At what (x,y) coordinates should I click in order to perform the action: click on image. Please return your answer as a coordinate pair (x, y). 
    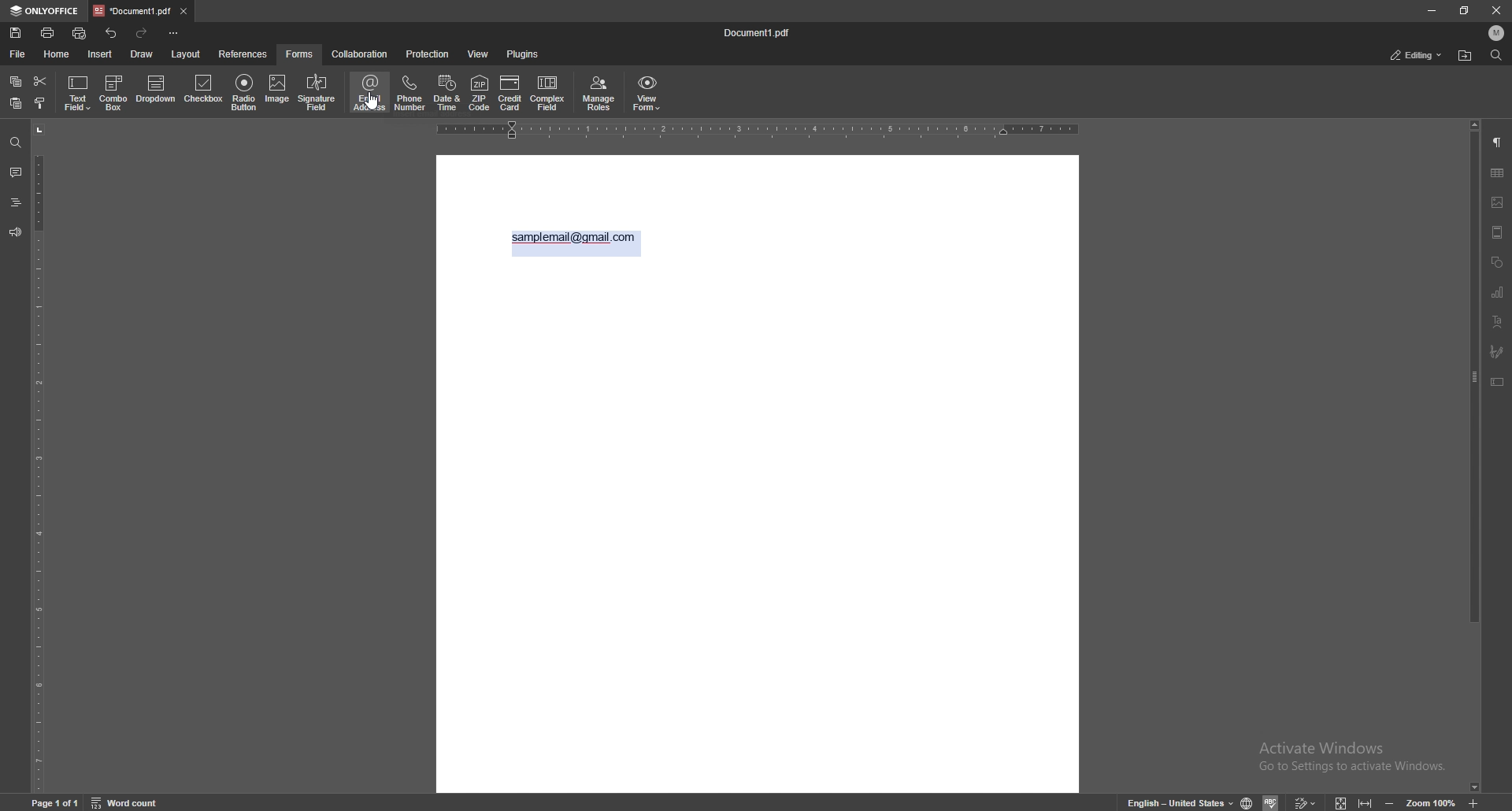
    Looking at the image, I should click on (277, 91).